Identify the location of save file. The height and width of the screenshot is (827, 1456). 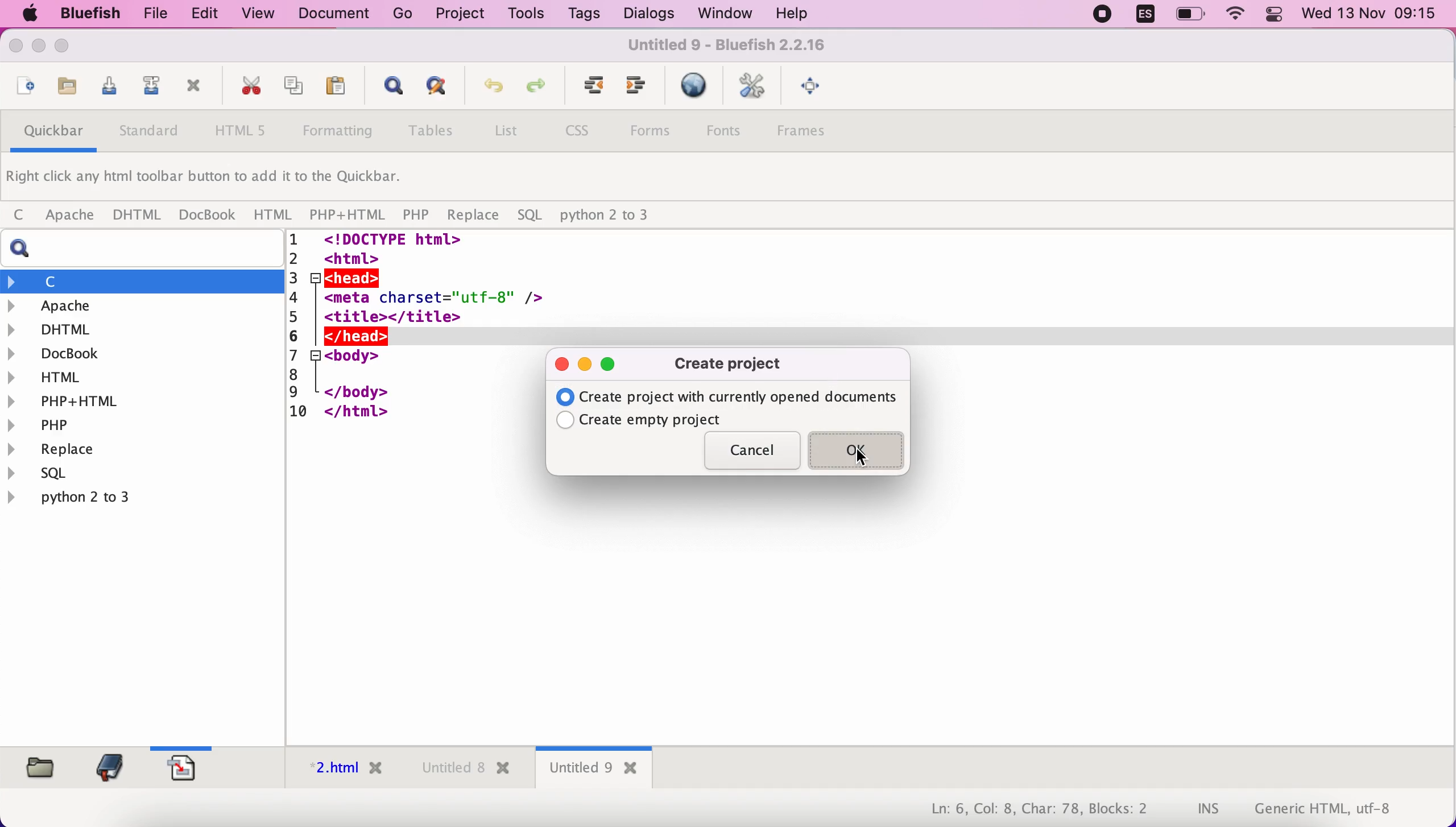
(65, 87).